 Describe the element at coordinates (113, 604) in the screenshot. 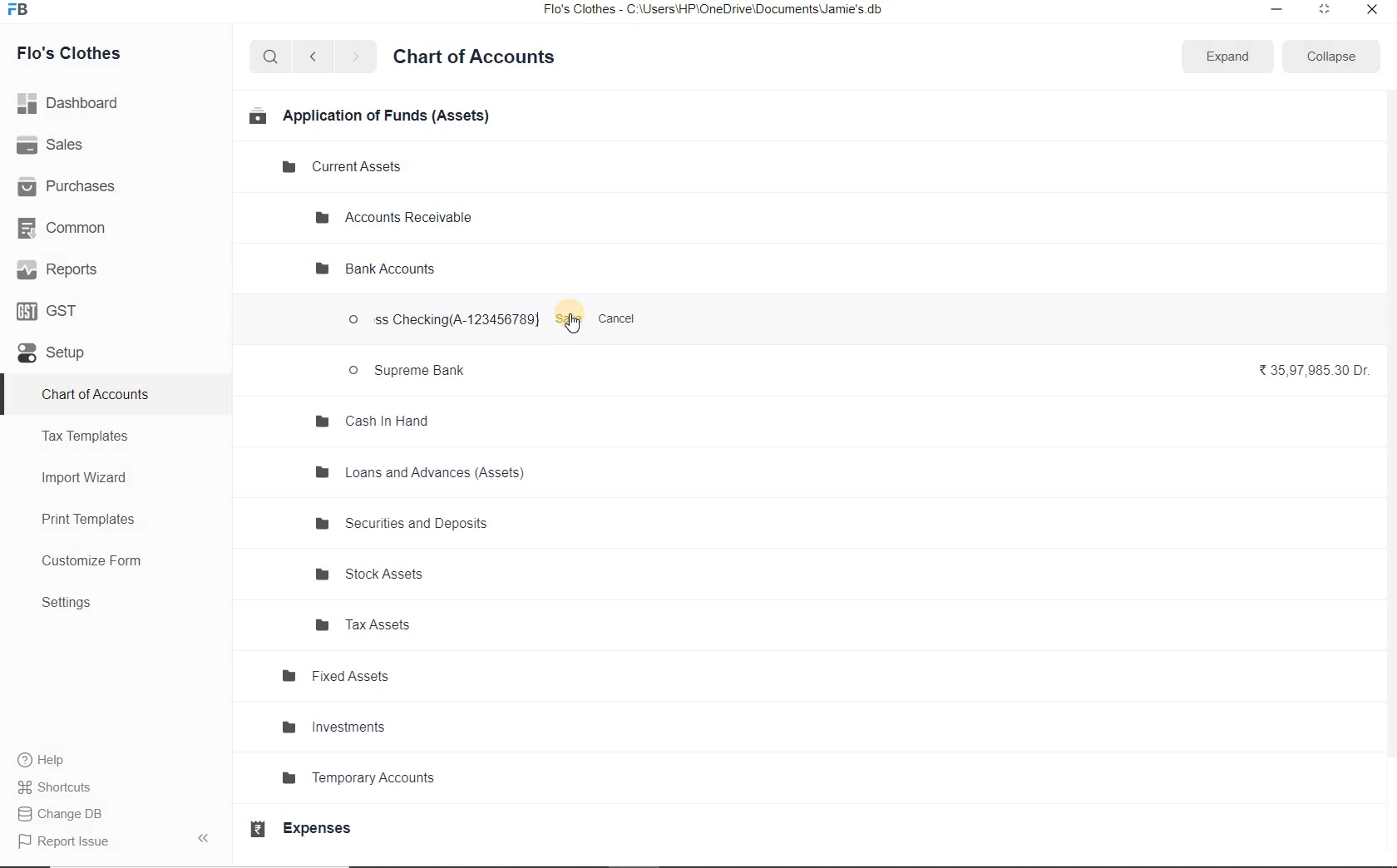

I see `Settings` at that location.